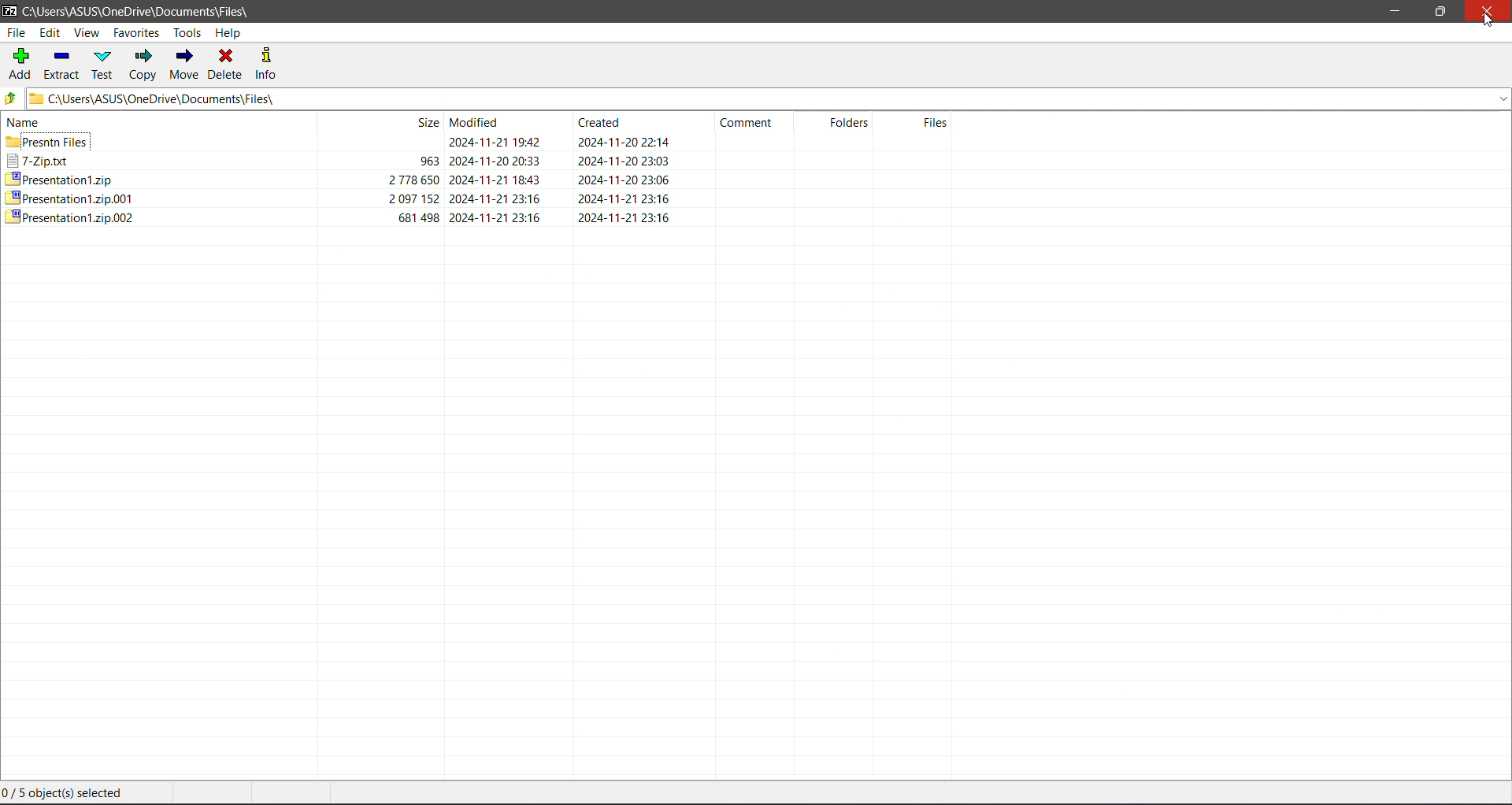 This screenshot has width=1512, height=805. Describe the element at coordinates (1442, 12) in the screenshot. I see `Restore Down` at that location.